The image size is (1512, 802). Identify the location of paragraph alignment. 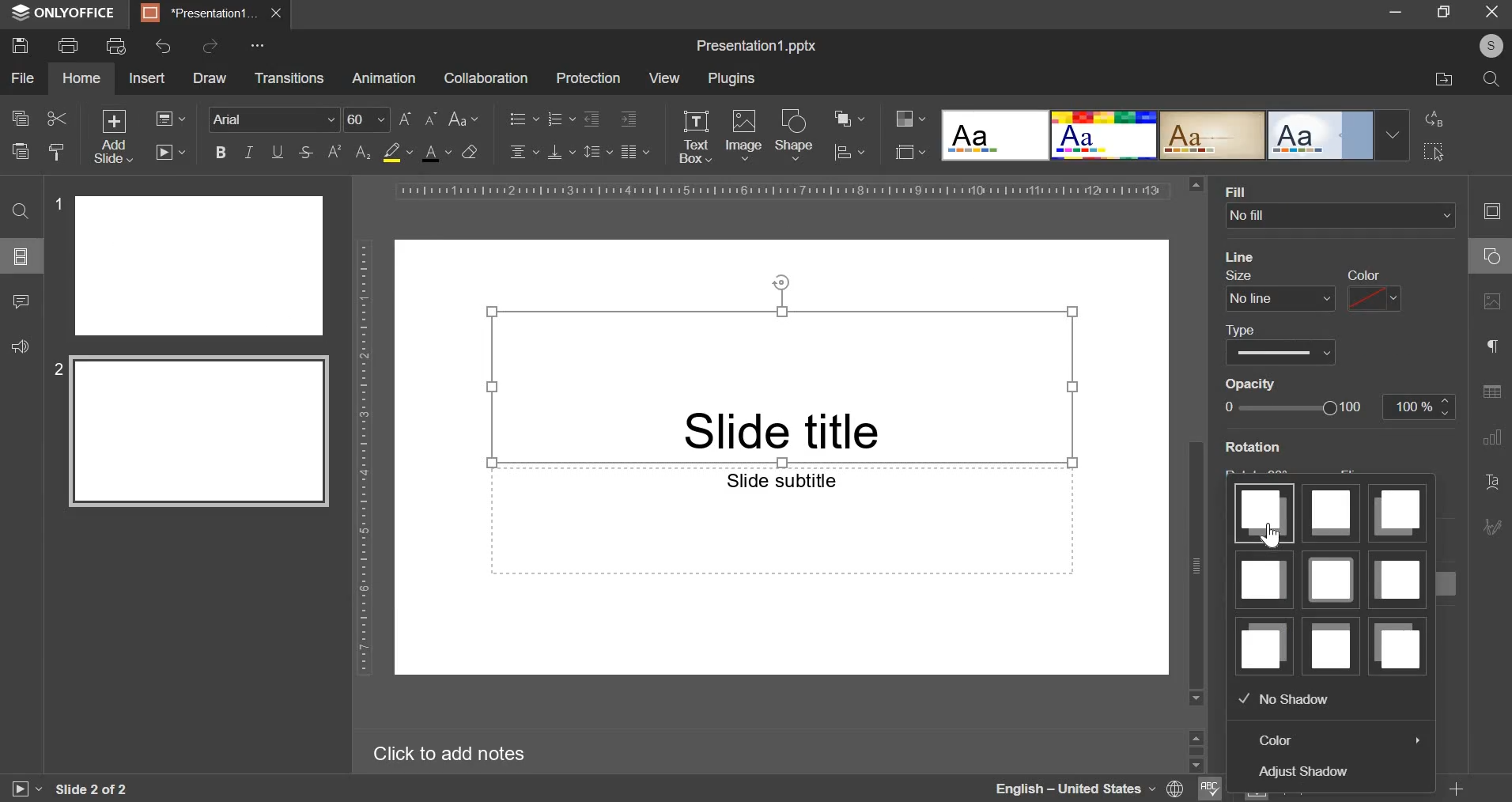
(634, 151).